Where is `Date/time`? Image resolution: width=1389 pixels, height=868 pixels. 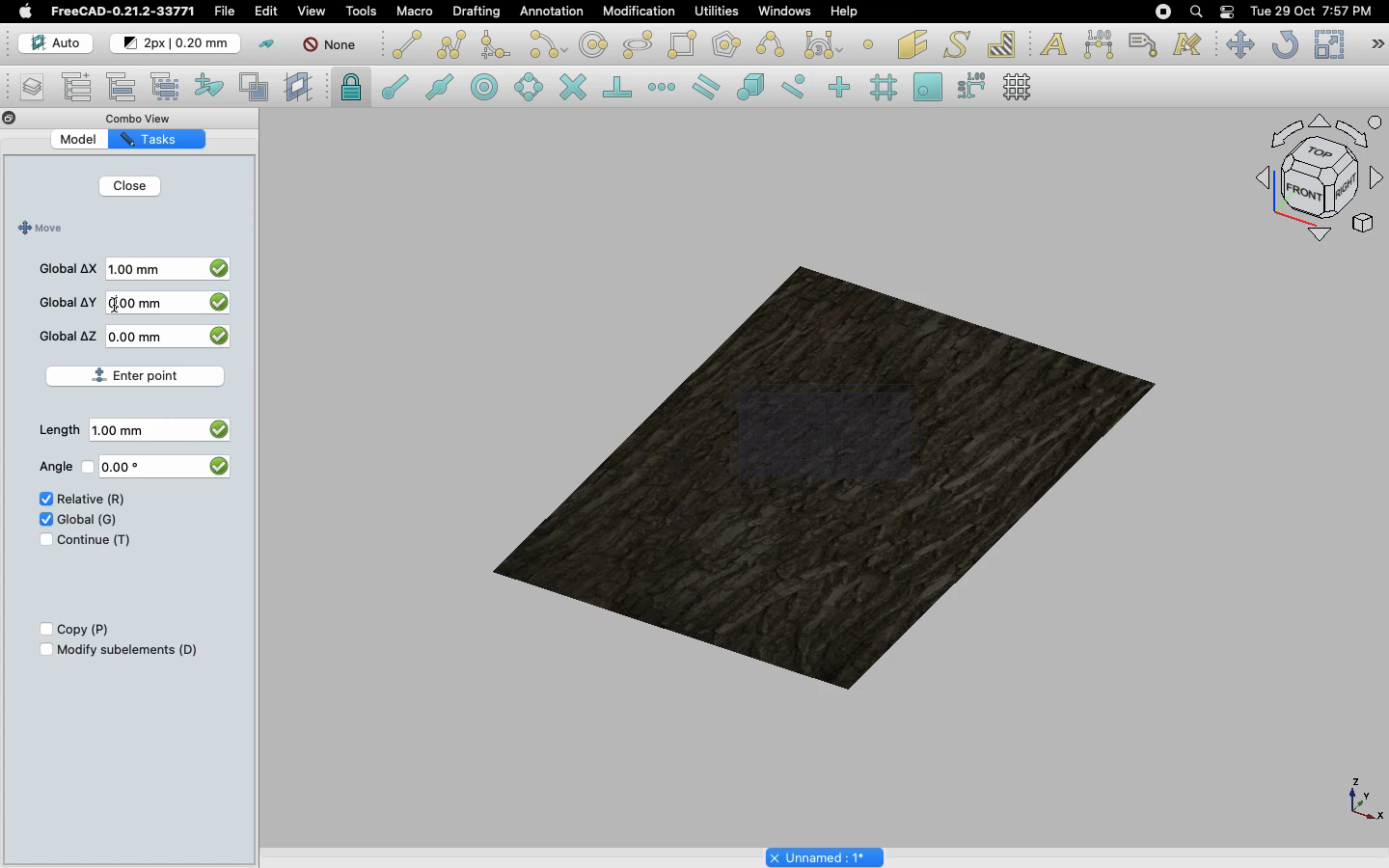 Date/time is located at coordinates (1311, 10).